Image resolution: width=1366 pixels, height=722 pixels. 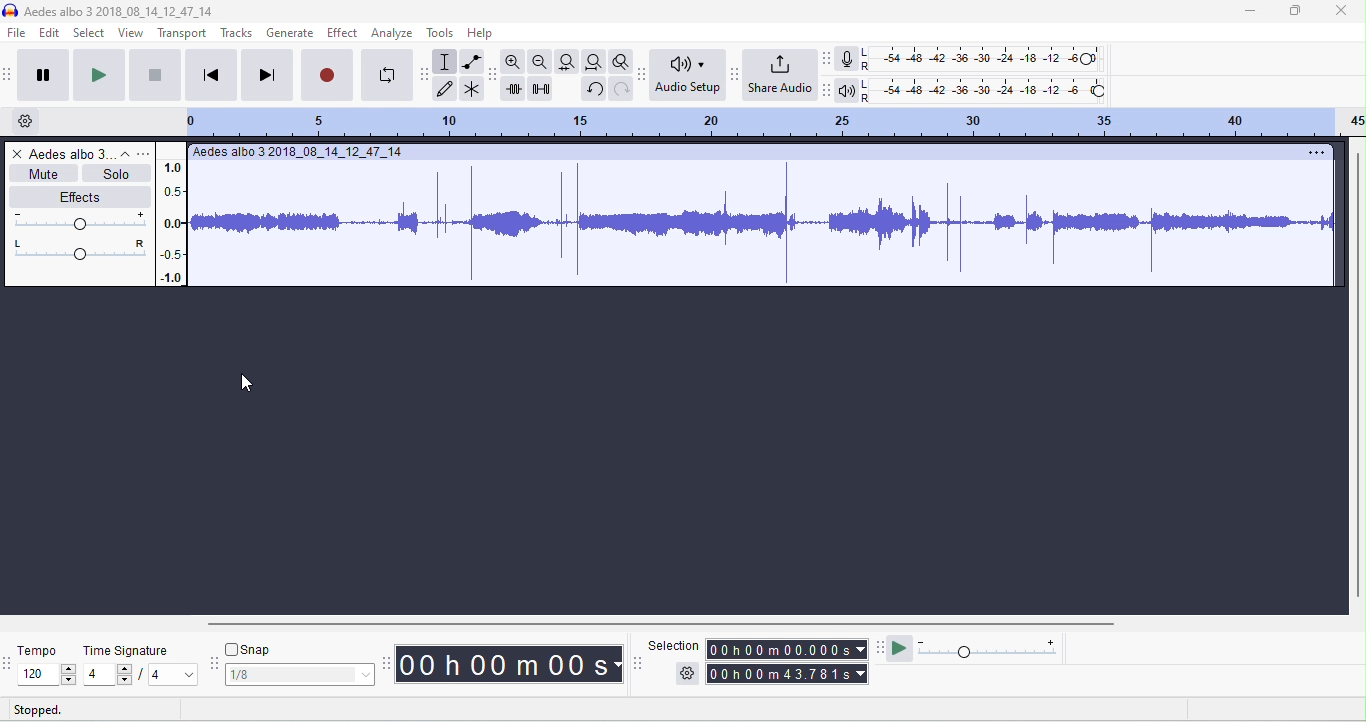 I want to click on pause, so click(x=43, y=76).